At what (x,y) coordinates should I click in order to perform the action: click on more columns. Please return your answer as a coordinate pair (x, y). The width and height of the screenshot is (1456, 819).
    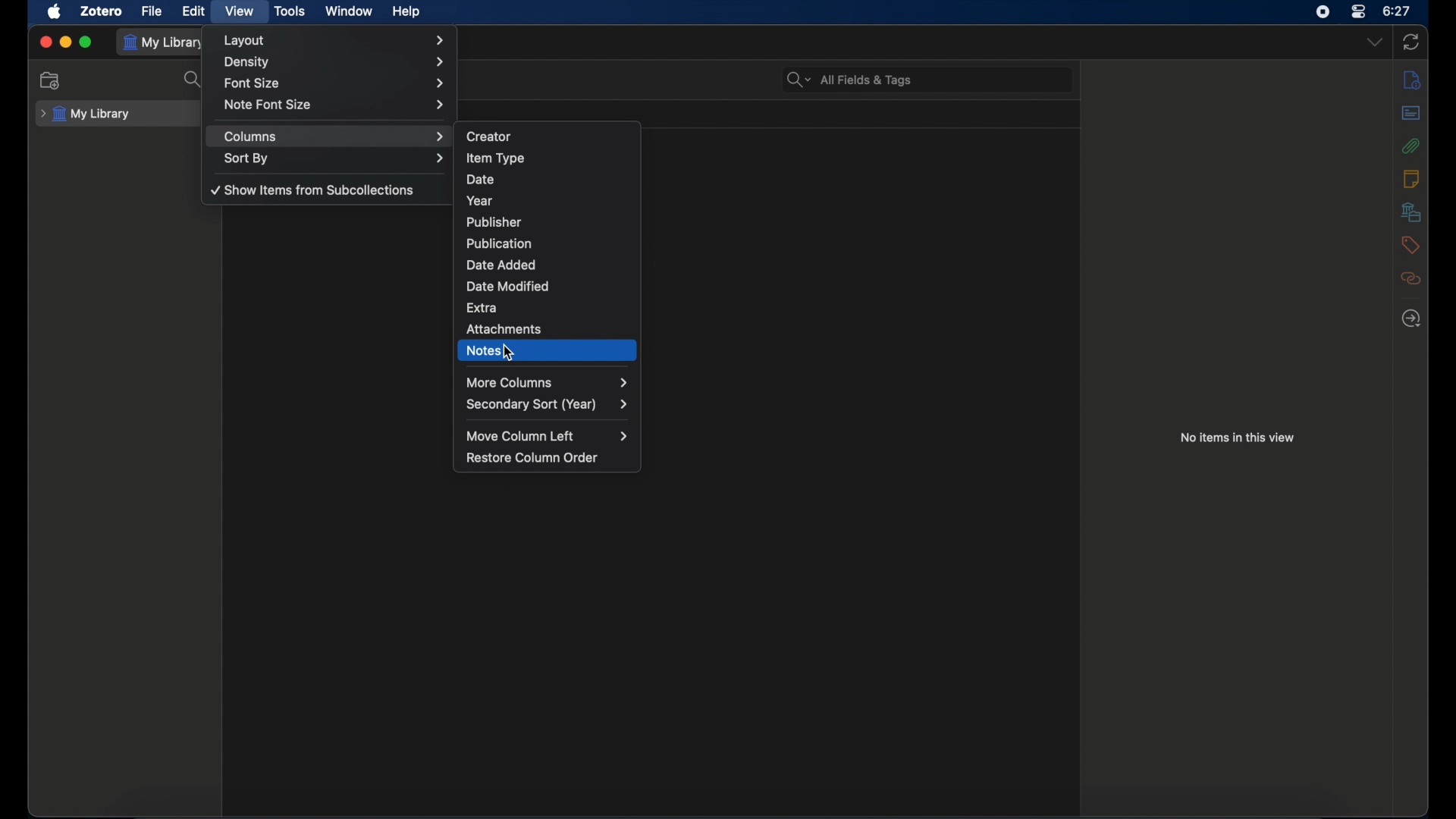
    Looking at the image, I should click on (548, 382).